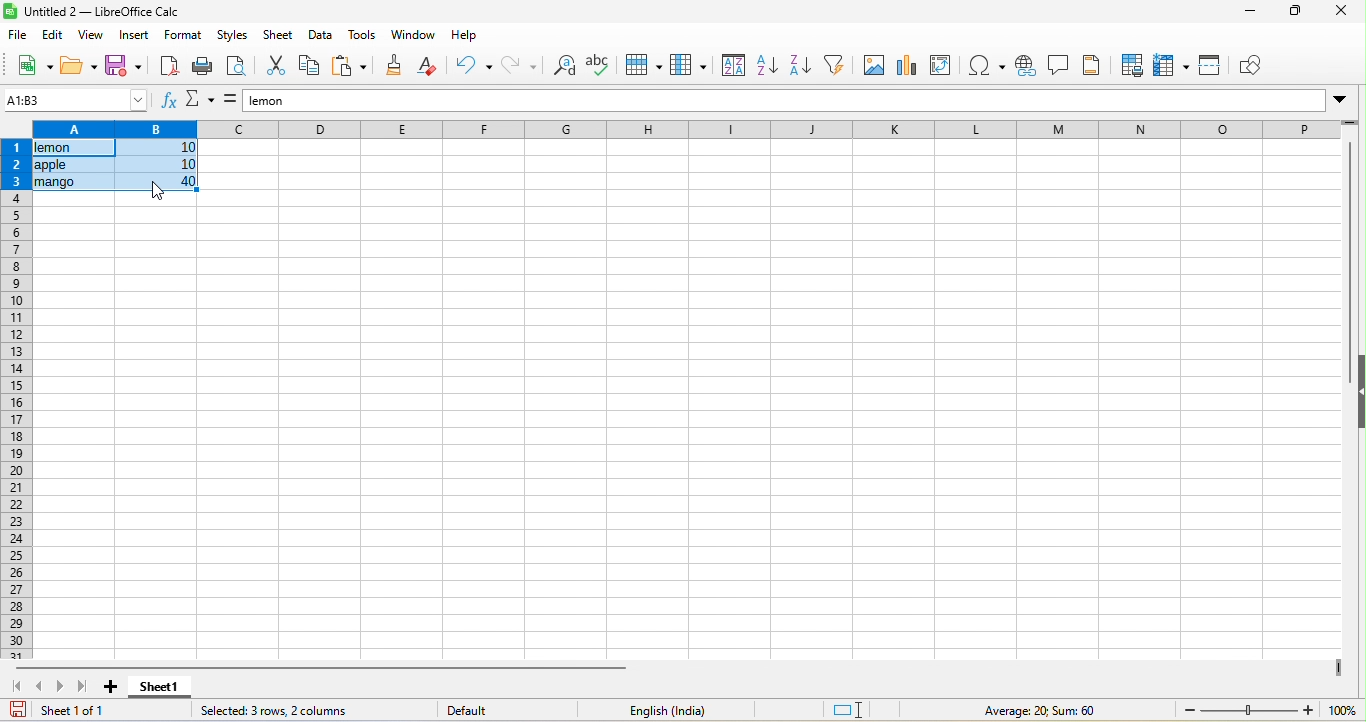 The image size is (1366, 722). What do you see at coordinates (461, 34) in the screenshot?
I see `help` at bounding box center [461, 34].